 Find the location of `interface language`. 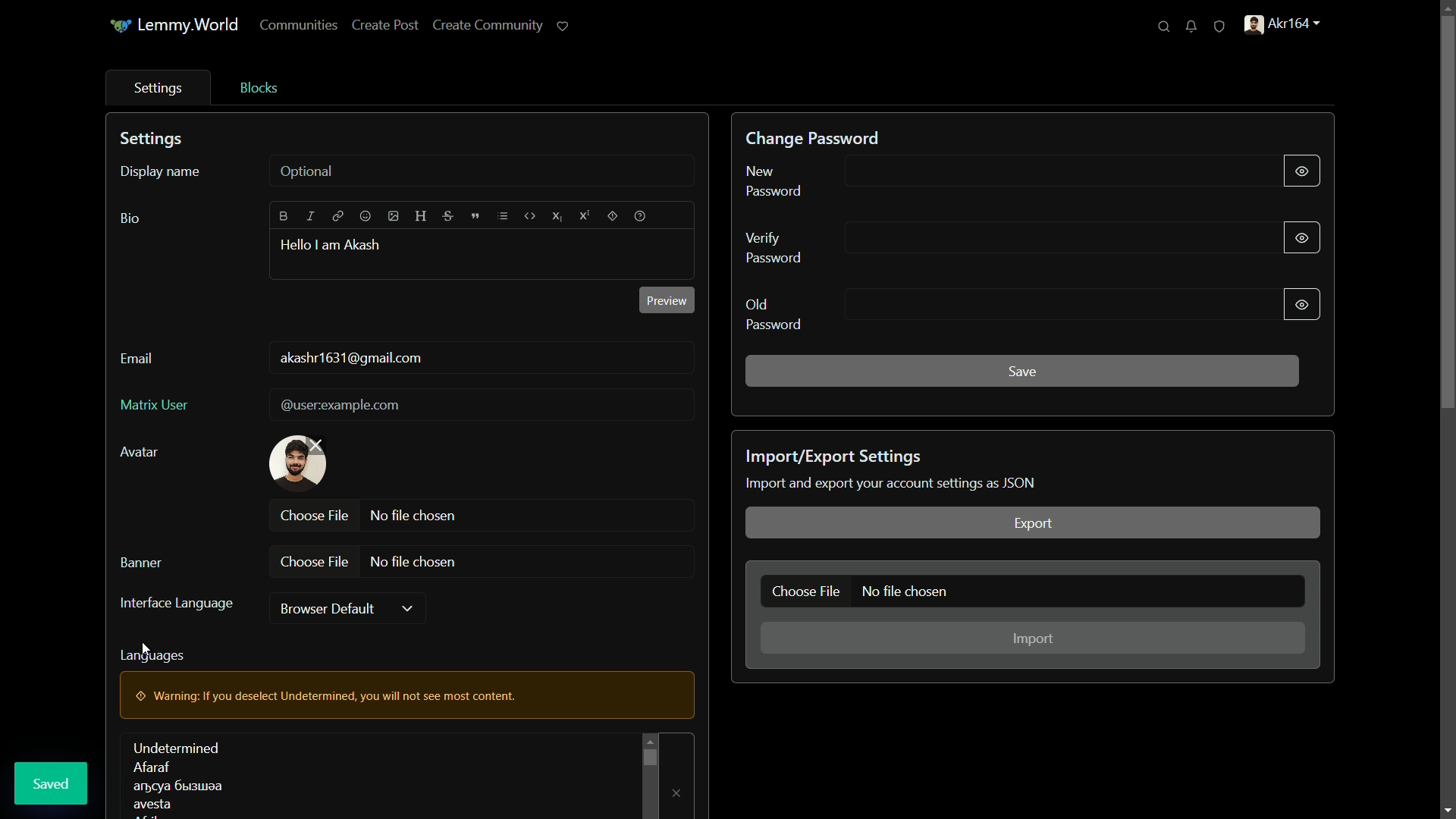

interface language is located at coordinates (178, 604).